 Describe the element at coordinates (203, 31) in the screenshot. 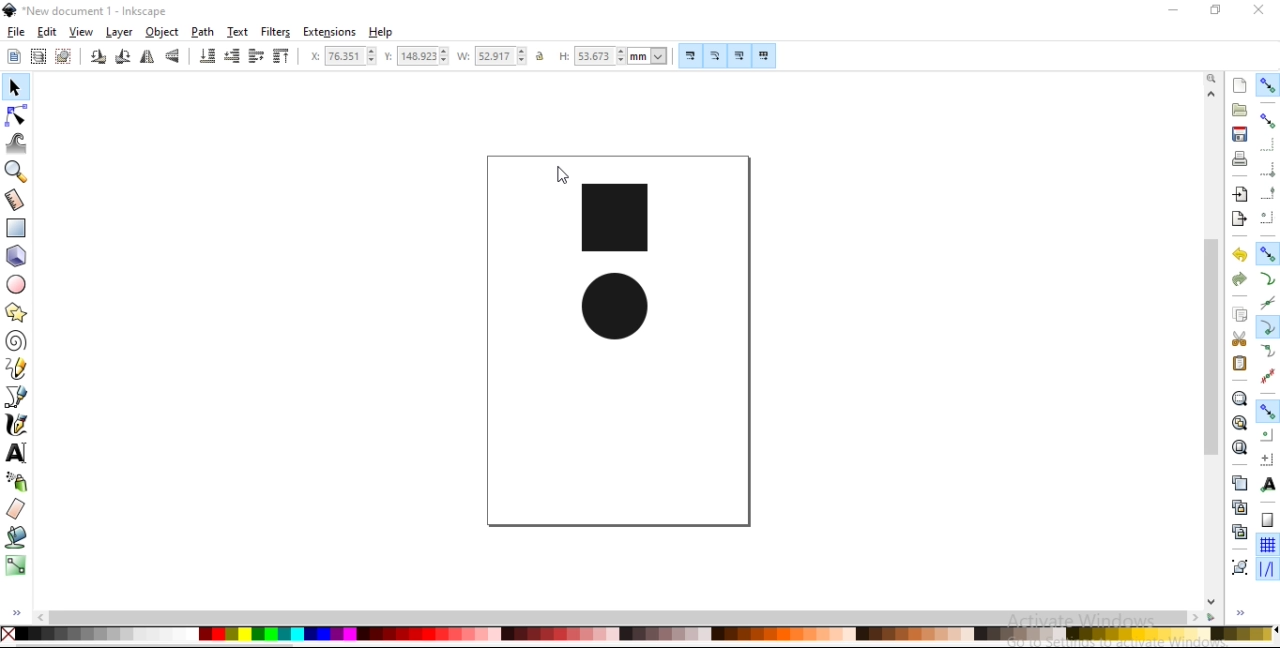

I see `path` at that location.